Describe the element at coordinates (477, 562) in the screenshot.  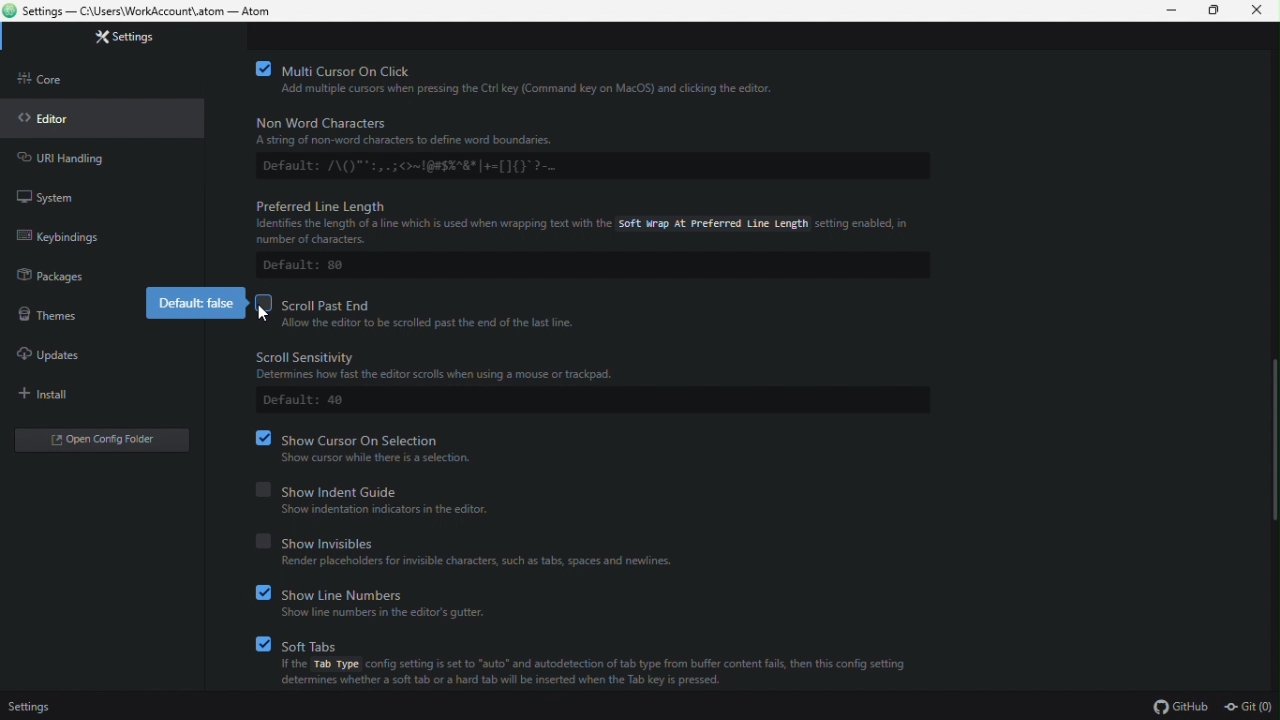
I see `Render placeholders for invisible characters, such as tbs, spaces and newlines.` at that location.